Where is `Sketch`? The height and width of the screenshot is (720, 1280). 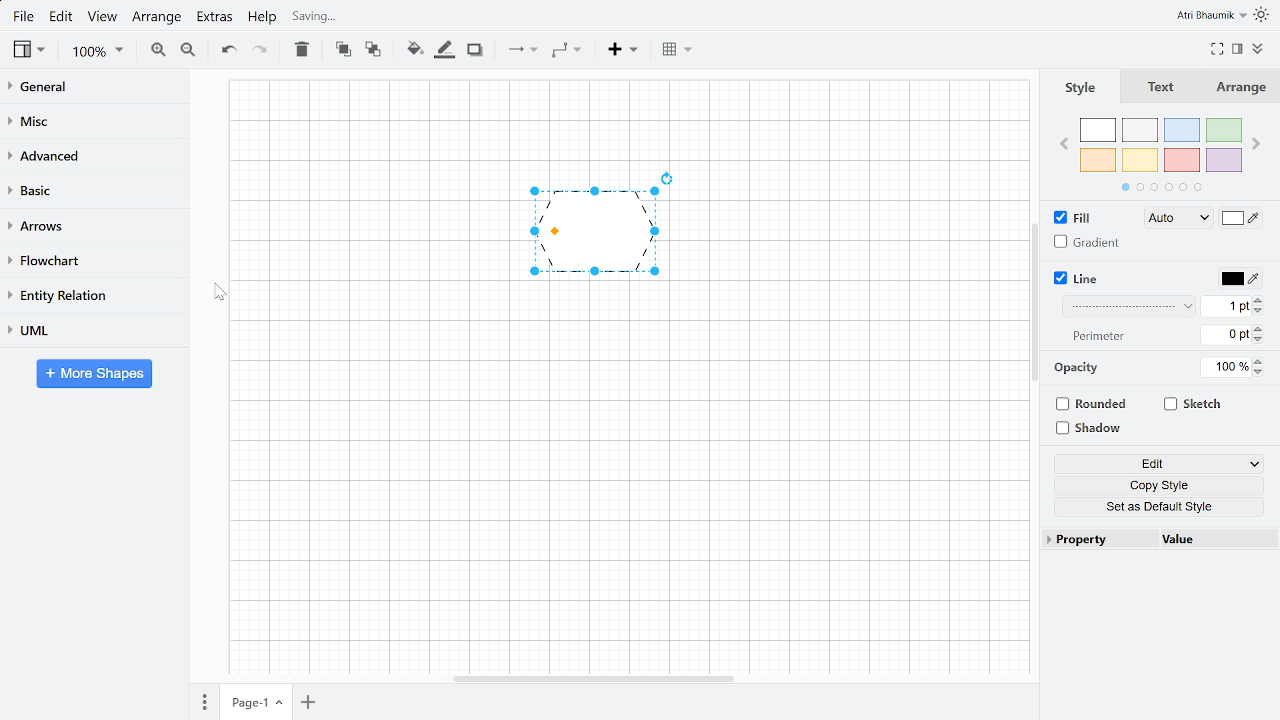 Sketch is located at coordinates (1193, 404).